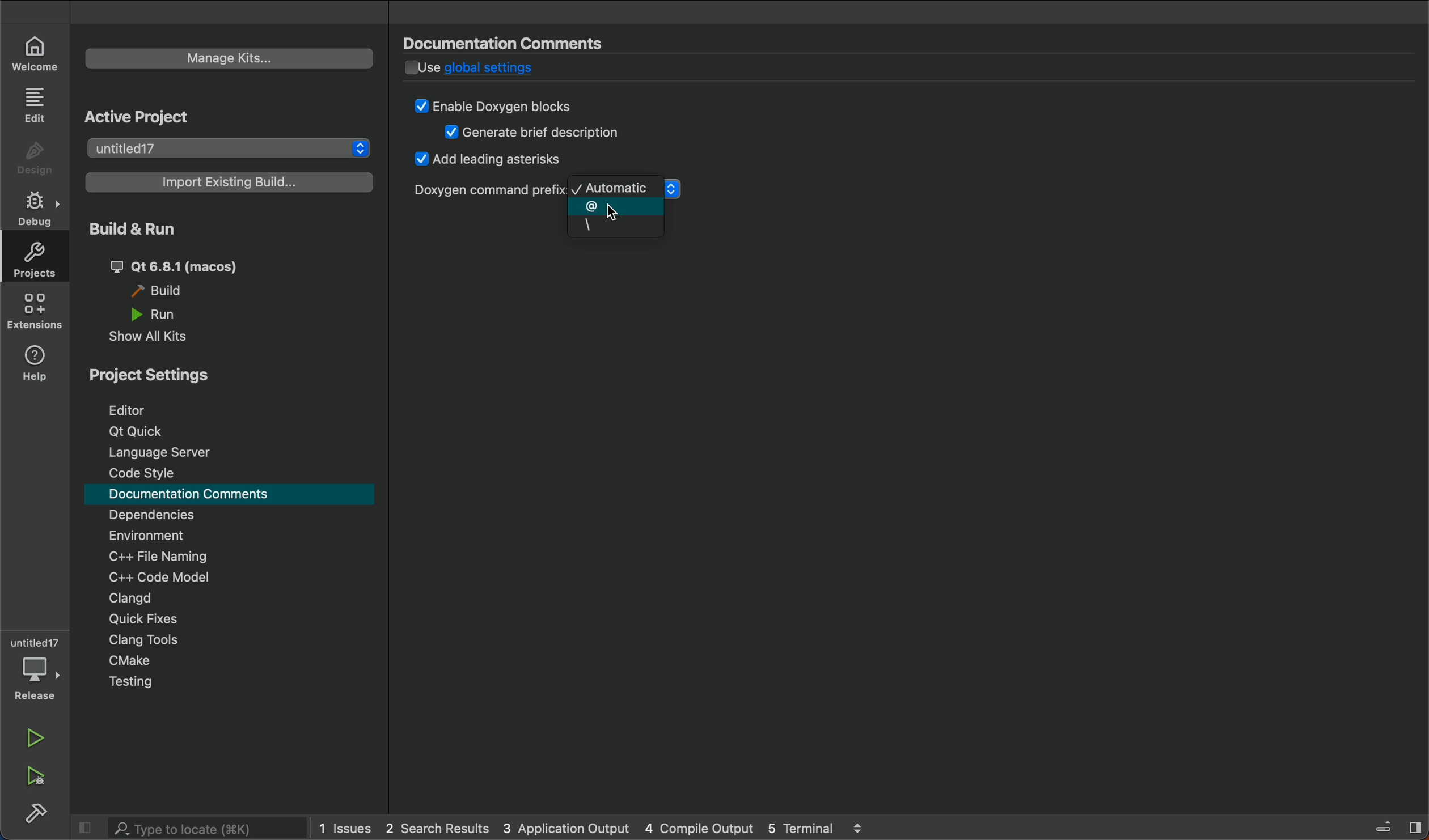 The height and width of the screenshot is (840, 1429). What do you see at coordinates (231, 60) in the screenshot?
I see `manage kits` at bounding box center [231, 60].